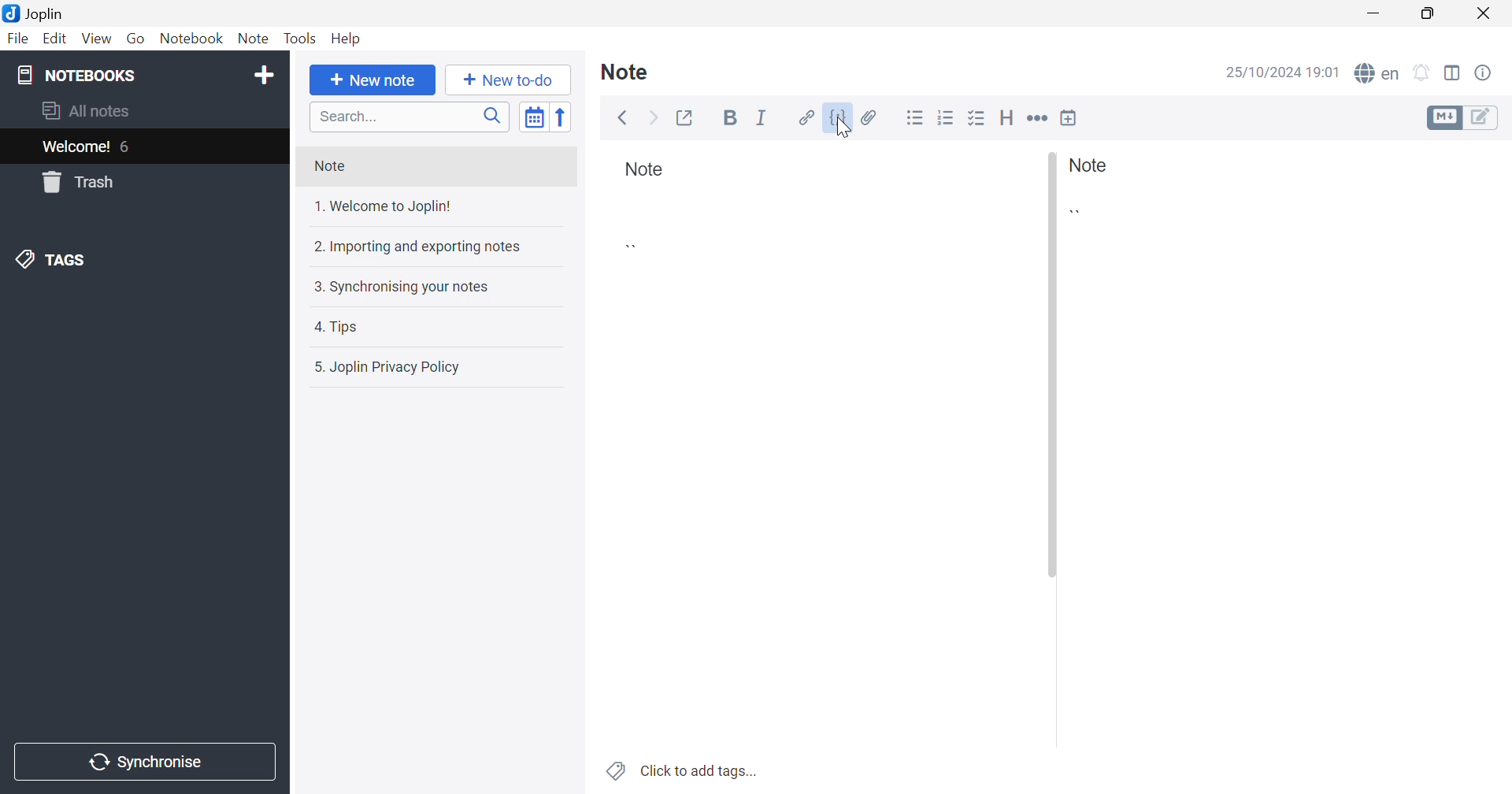 The image size is (1512, 794). Describe the element at coordinates (86, 76) in the screenshot. I see `Notebooks` at that location.